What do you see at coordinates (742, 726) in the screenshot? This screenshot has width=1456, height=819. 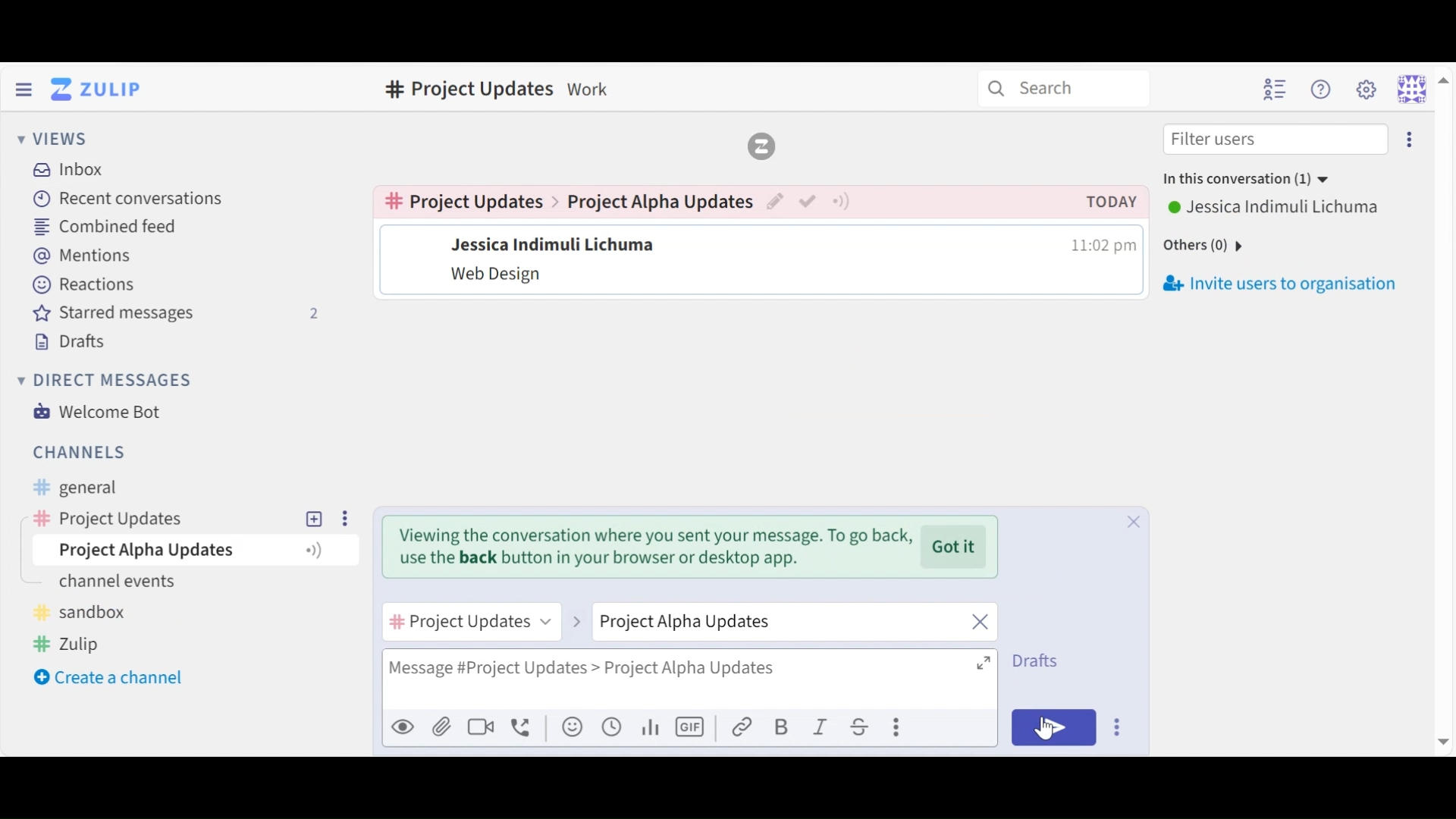 I see `link` at bounding box center [742, 726].